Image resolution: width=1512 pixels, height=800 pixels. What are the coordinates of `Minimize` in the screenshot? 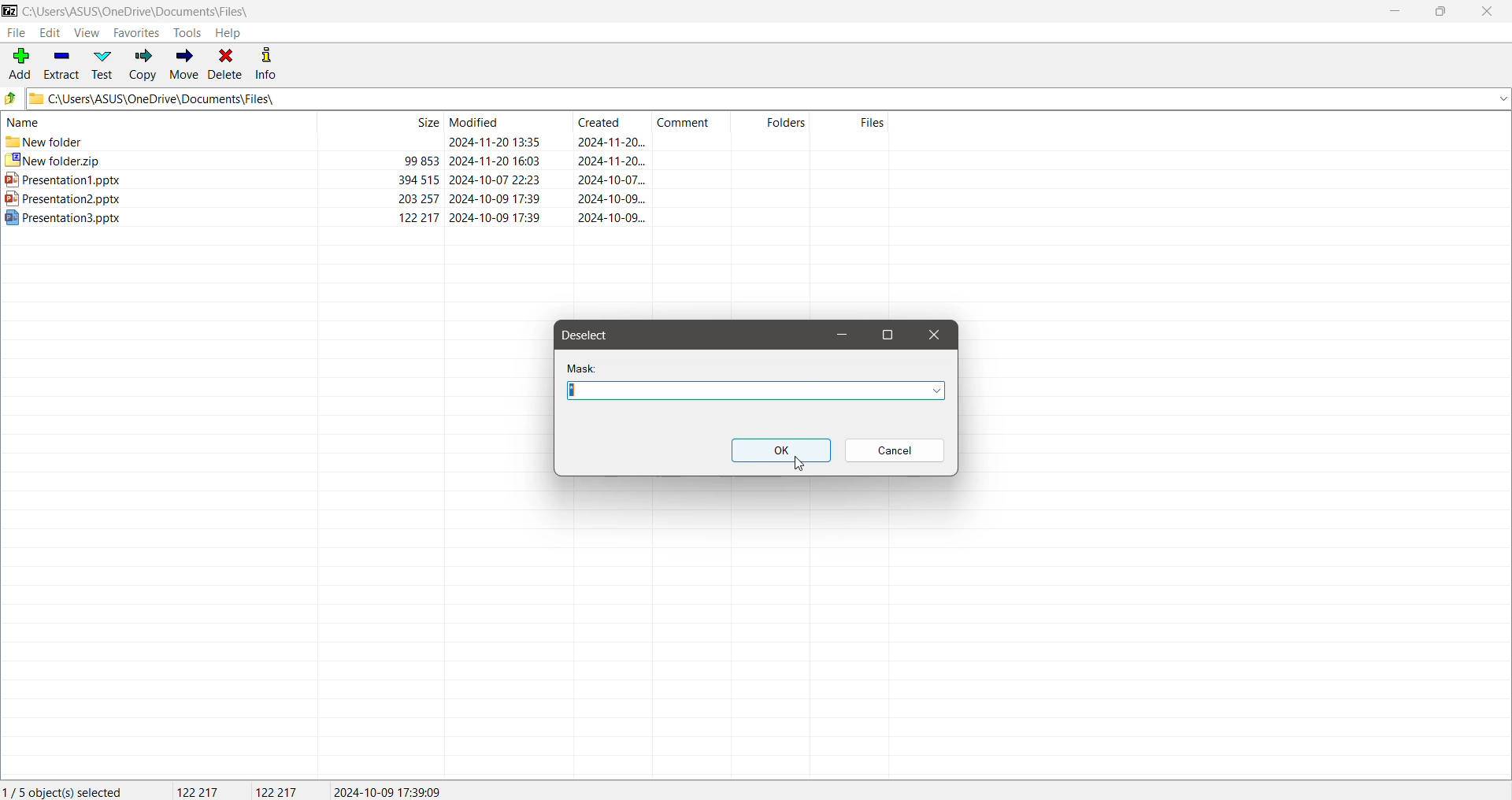 It's located at (841, 336).